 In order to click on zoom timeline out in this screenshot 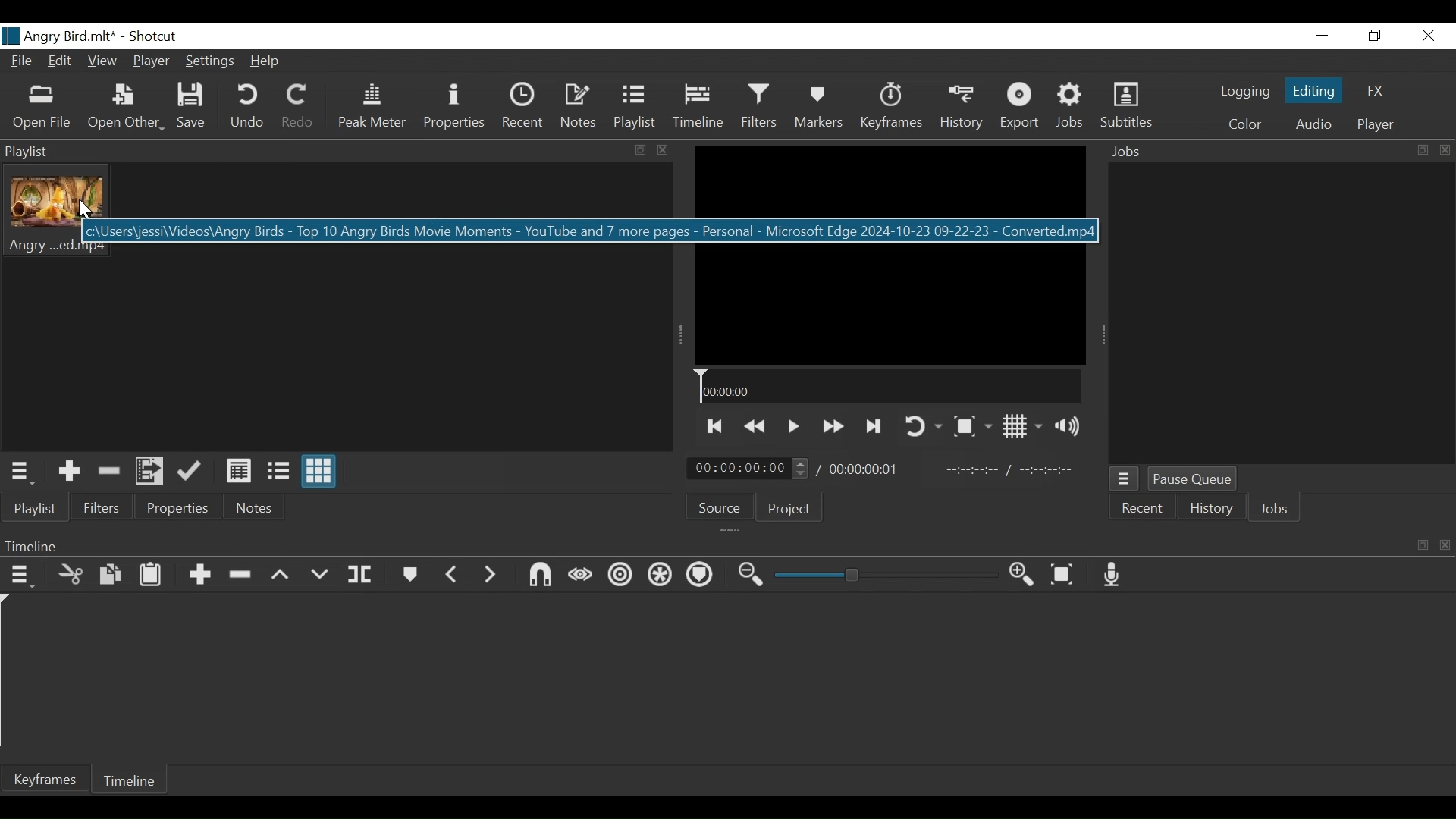, I will do `click(1023, 575)`.